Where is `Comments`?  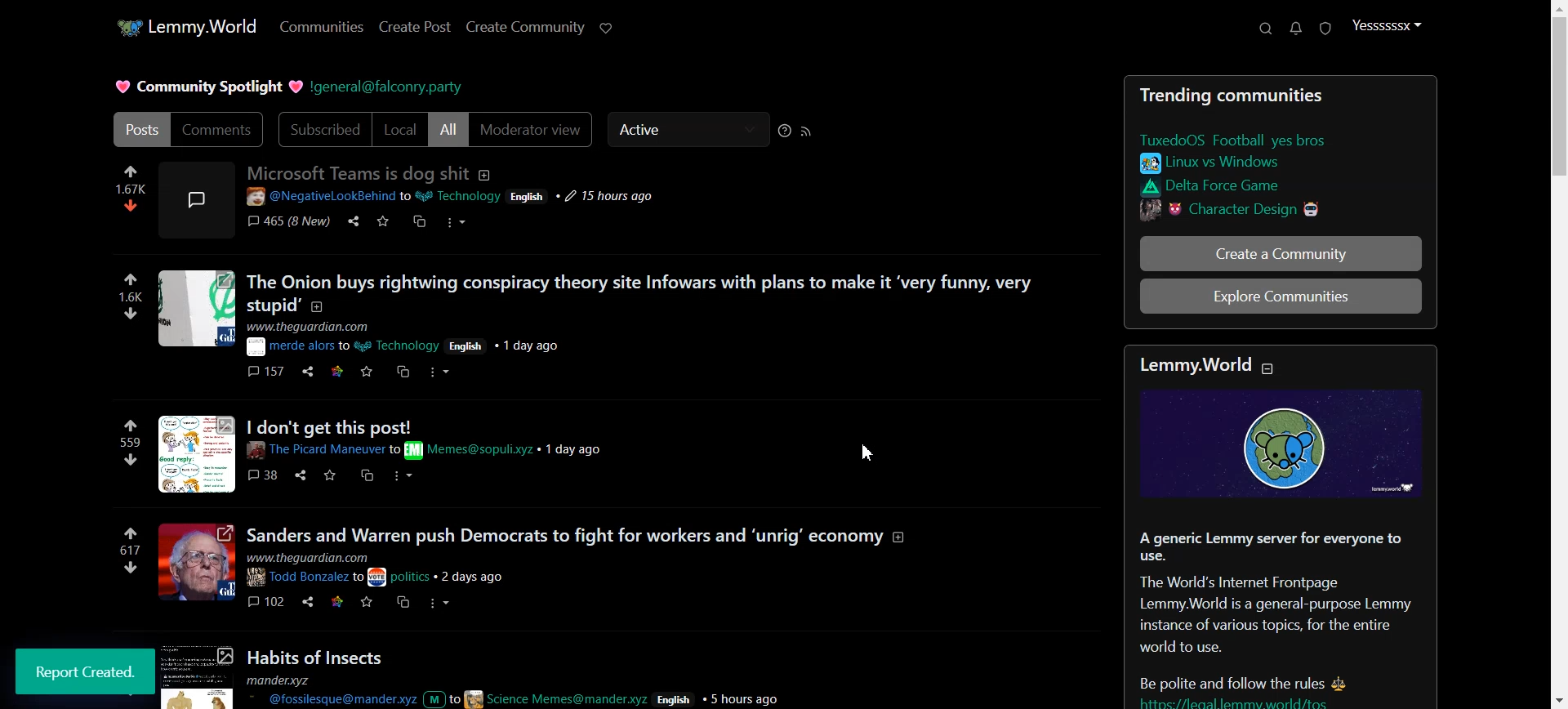 Comments is located at coordinates (220, 129).